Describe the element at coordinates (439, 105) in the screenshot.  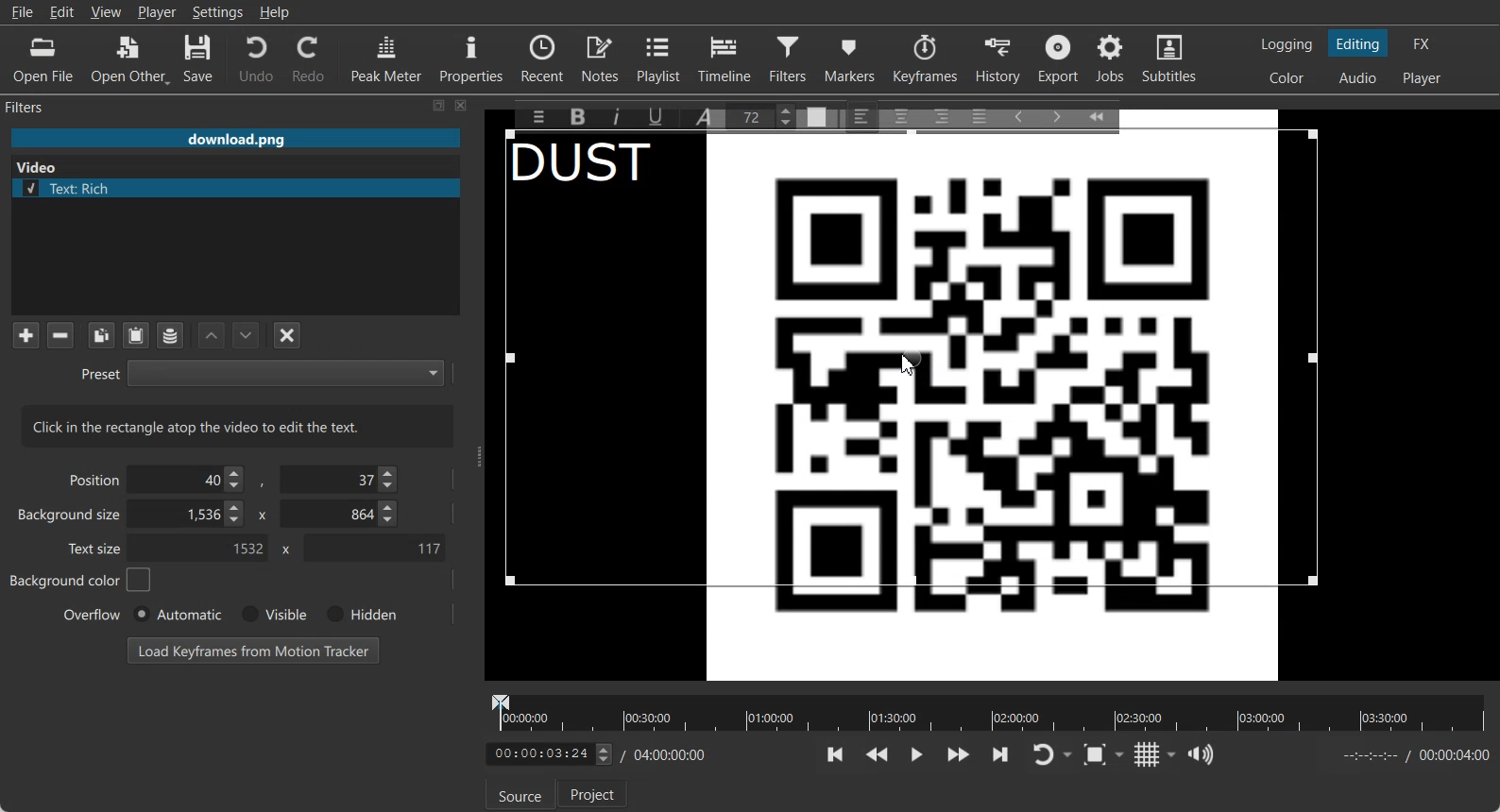
I see `Maximize` at that location.